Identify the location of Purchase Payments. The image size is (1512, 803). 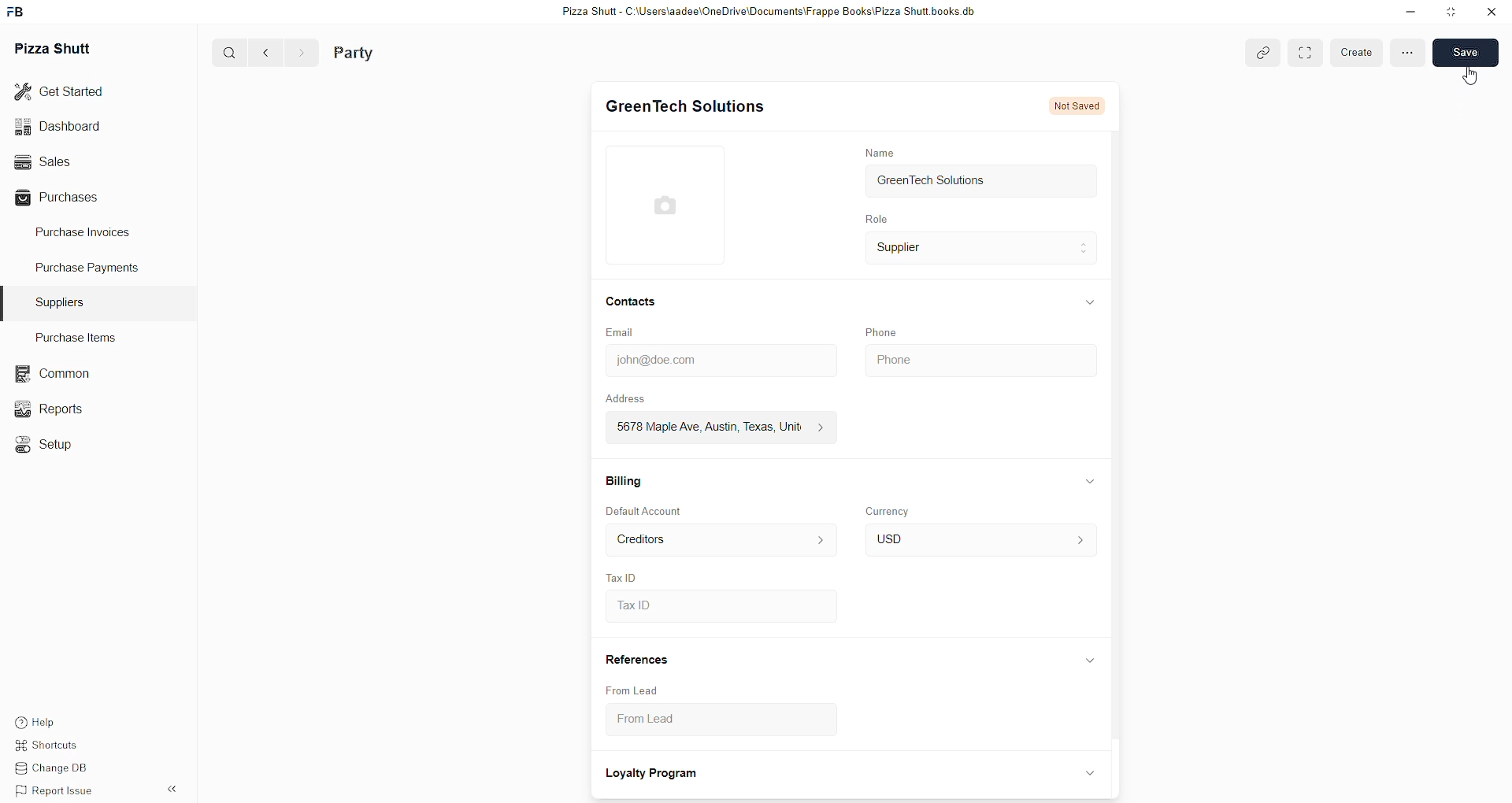
(89, 270).